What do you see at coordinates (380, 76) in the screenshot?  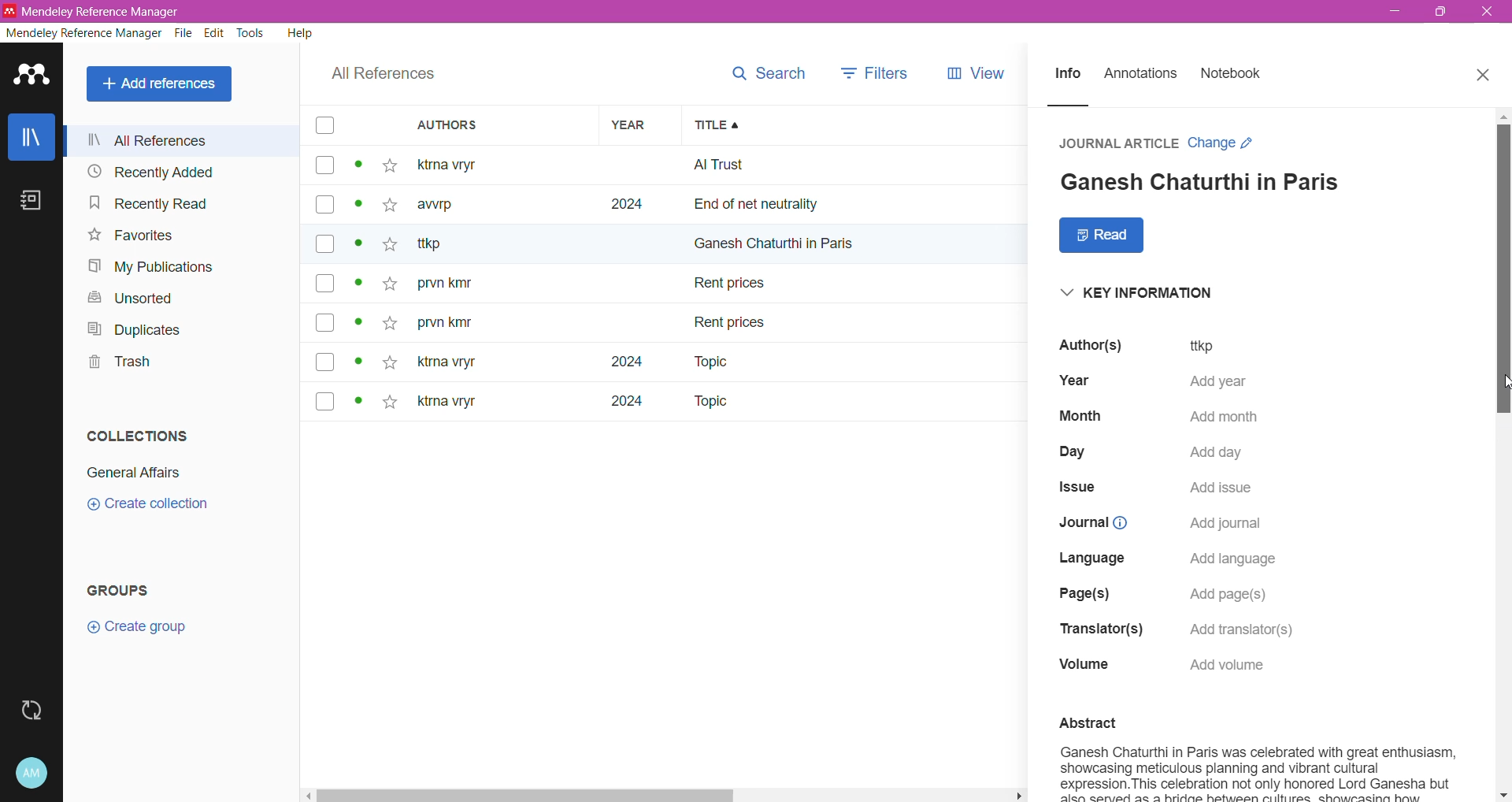 I see `All References` at bounding box center [380, 76].